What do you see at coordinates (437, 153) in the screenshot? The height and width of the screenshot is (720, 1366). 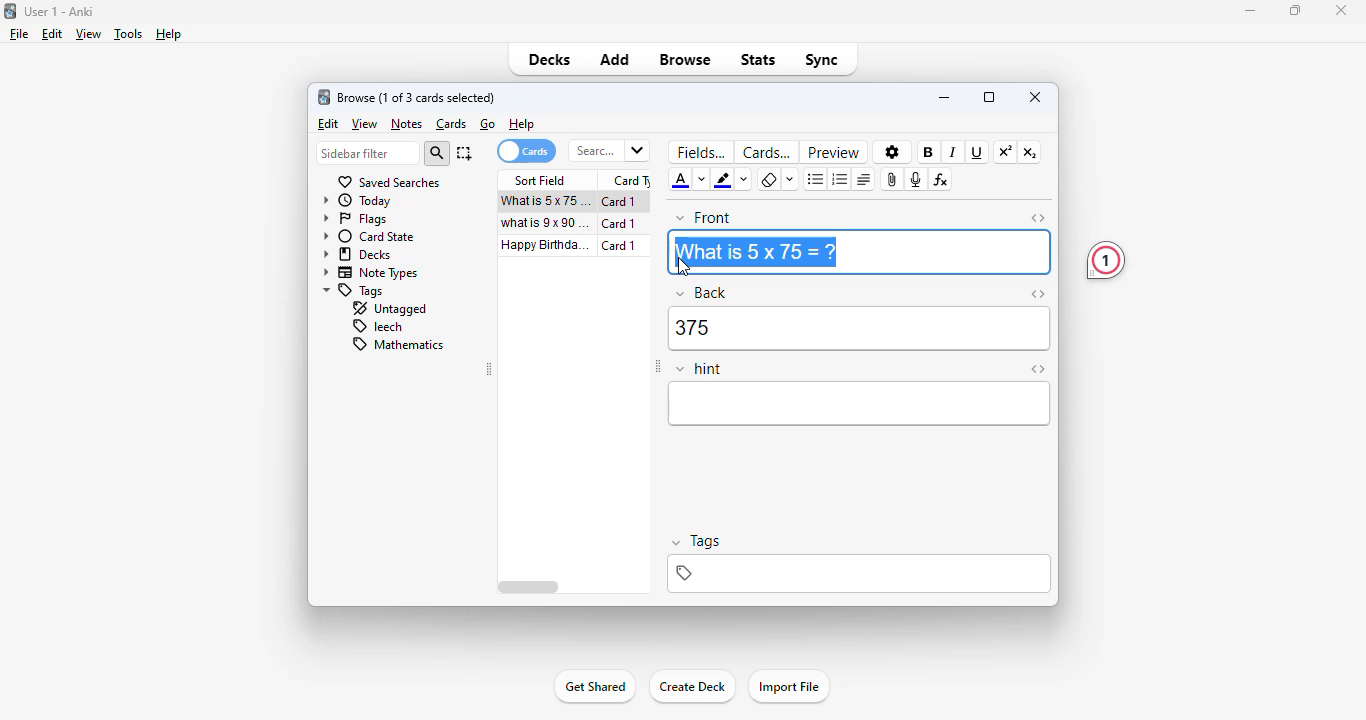 I see `search` at bounding box center [437, 153].